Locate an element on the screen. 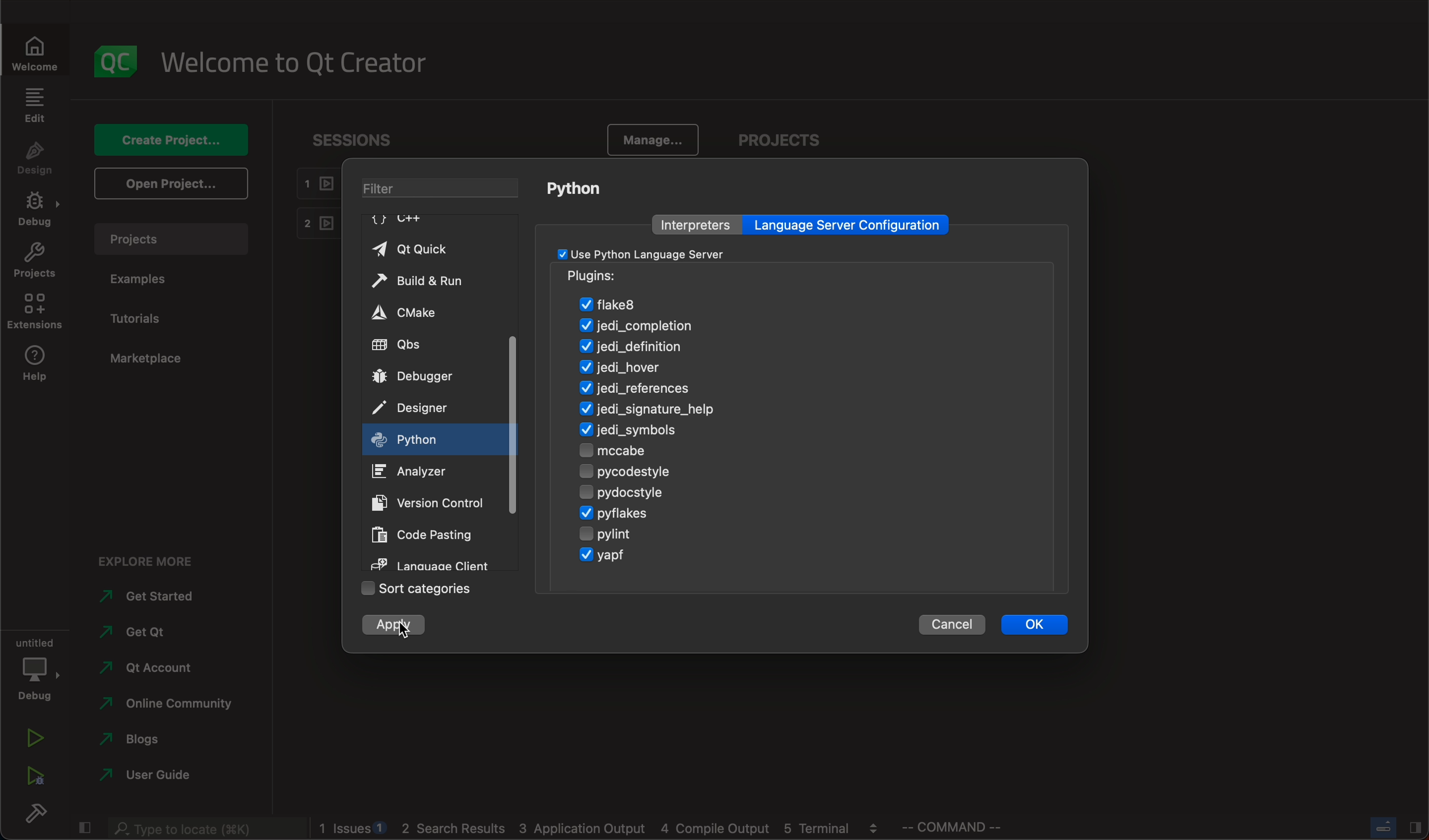 This screenshot has width=1429, height=840. account is located at coordinates (151, 669).